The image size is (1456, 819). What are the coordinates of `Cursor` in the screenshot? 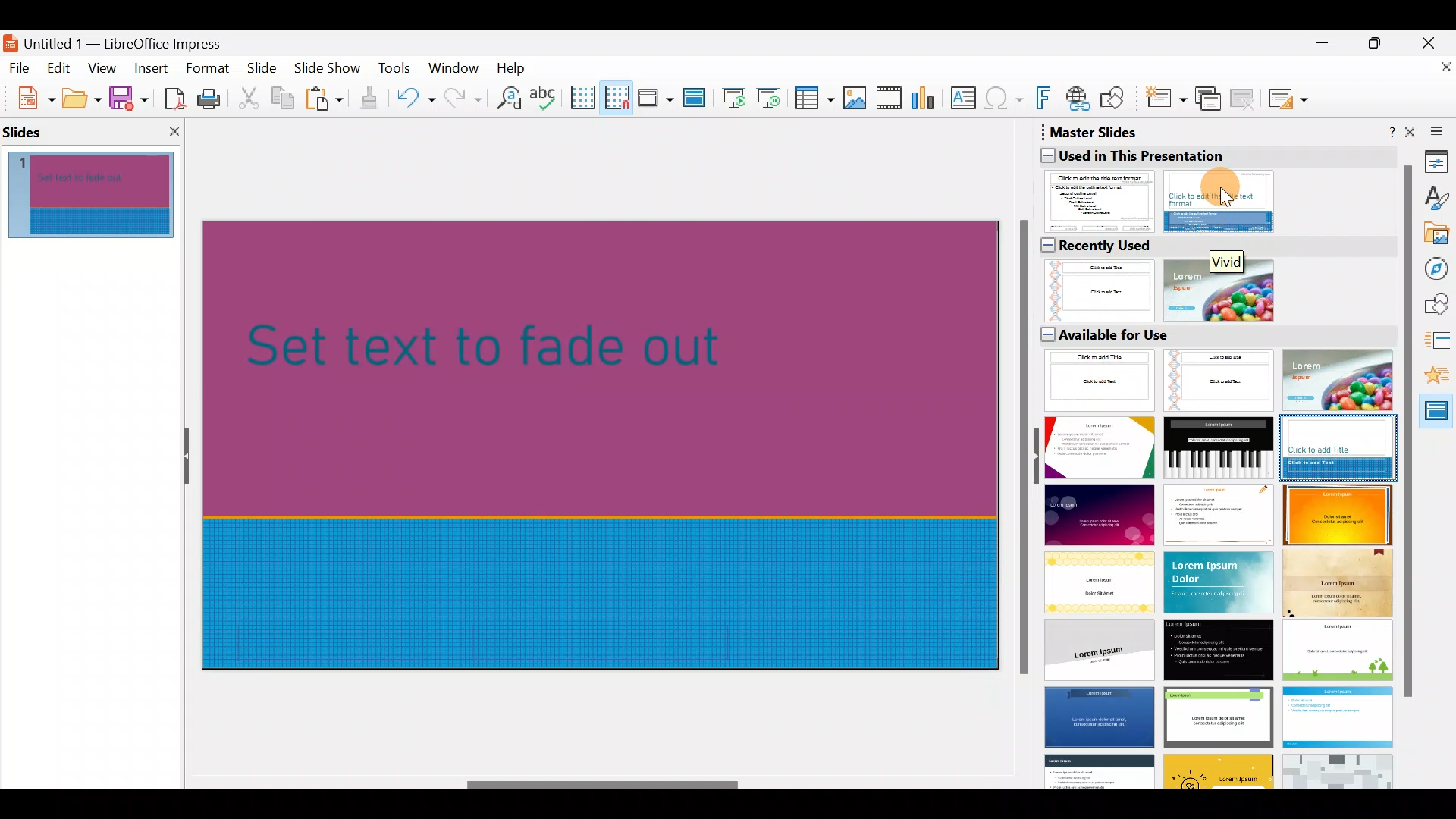 It's located at (1225, 190).